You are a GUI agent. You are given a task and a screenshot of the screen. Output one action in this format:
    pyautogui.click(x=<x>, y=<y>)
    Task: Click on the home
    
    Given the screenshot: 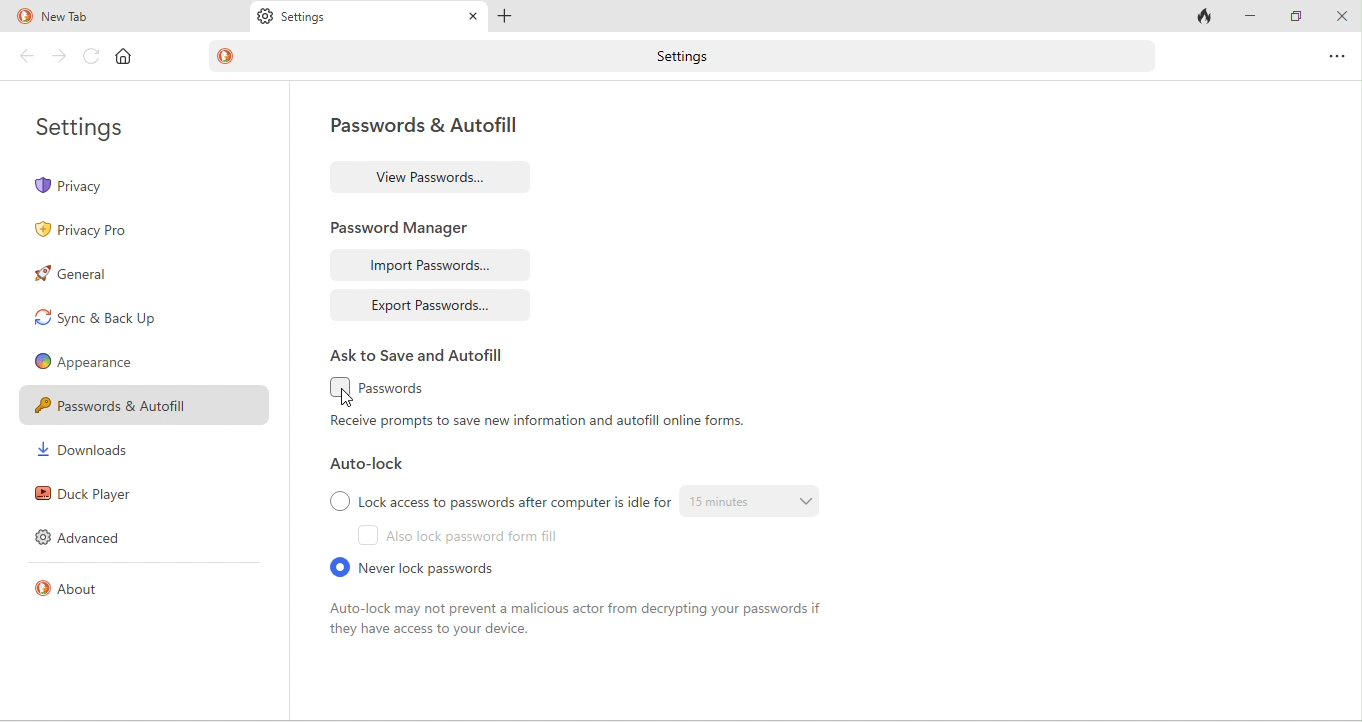 What is the action you would take?
    pyautogui.click(x=127, y=57)
    